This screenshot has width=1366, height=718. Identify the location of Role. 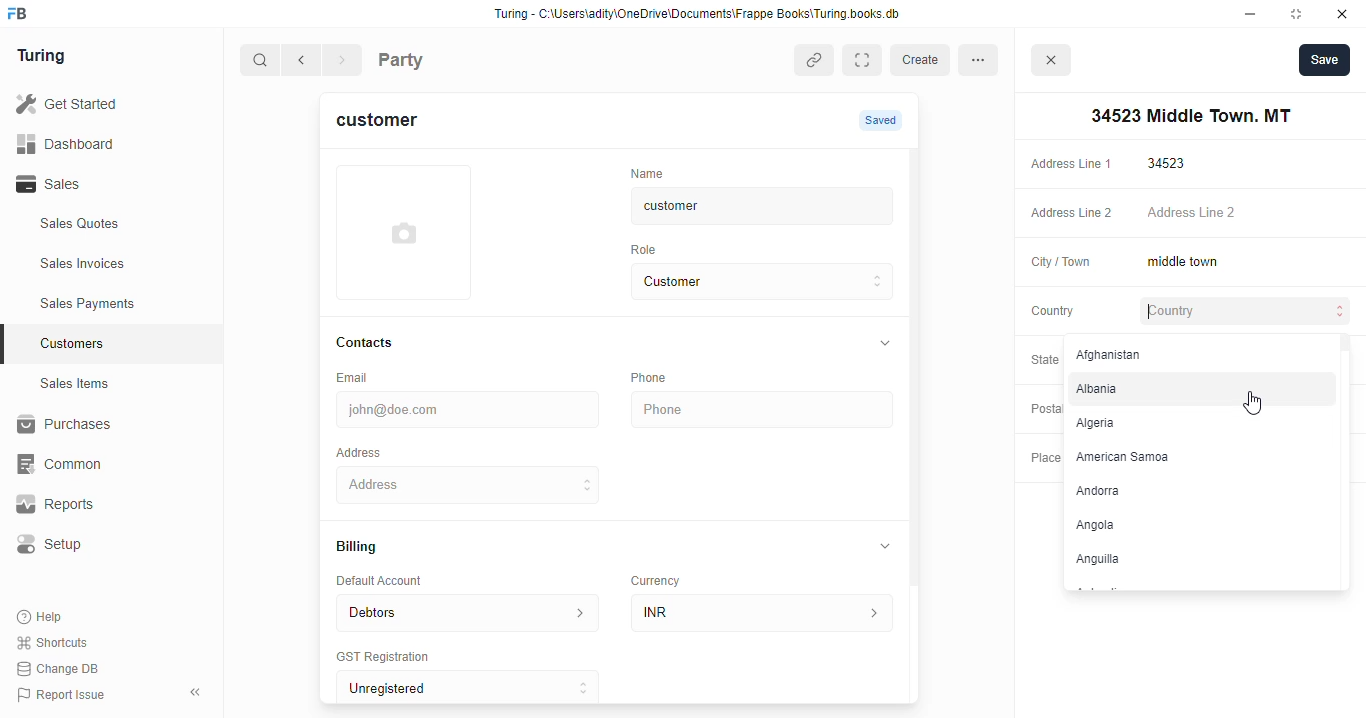
(650, 249).